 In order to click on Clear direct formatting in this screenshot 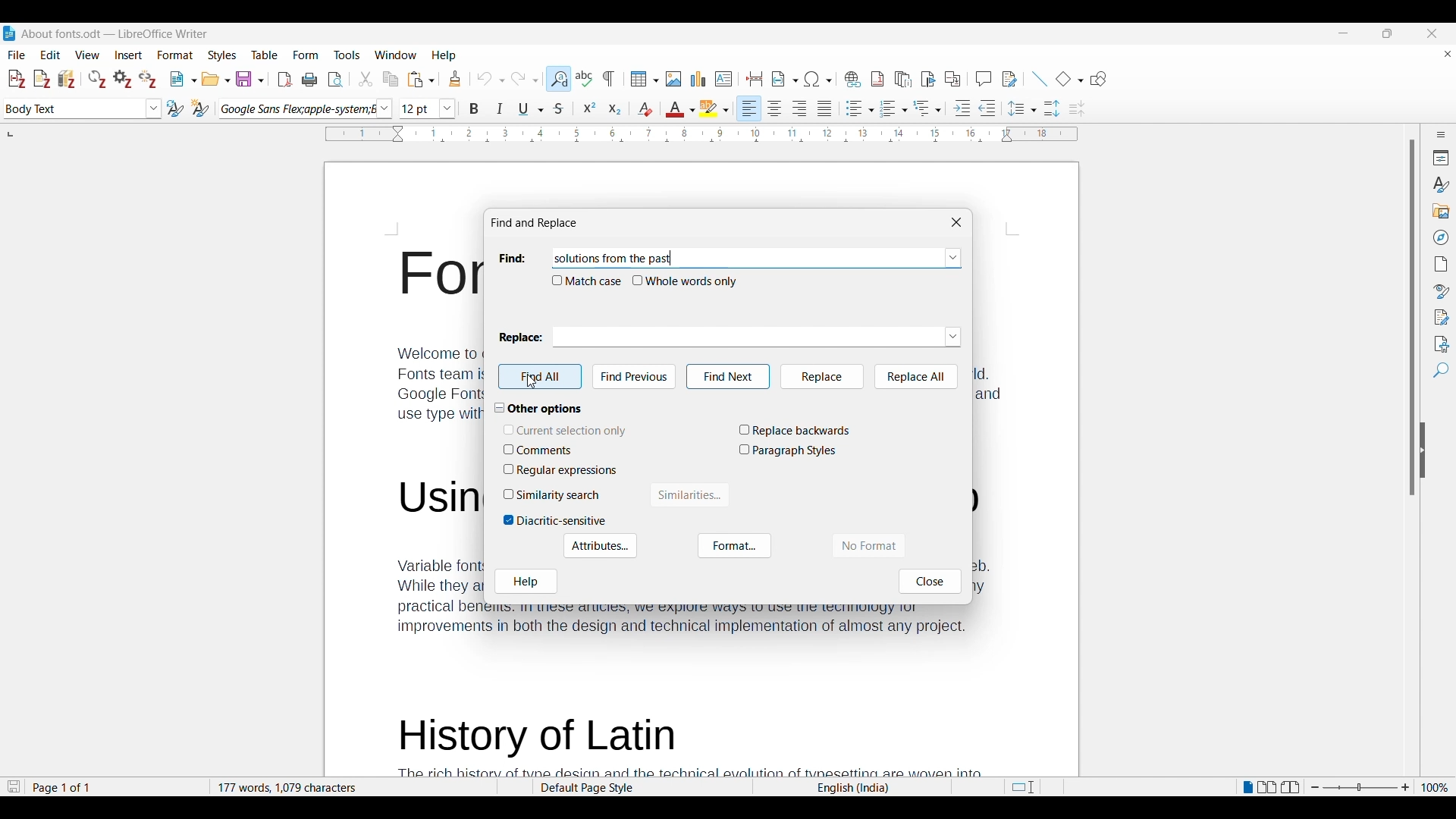, I will do `click(645, 108)`.